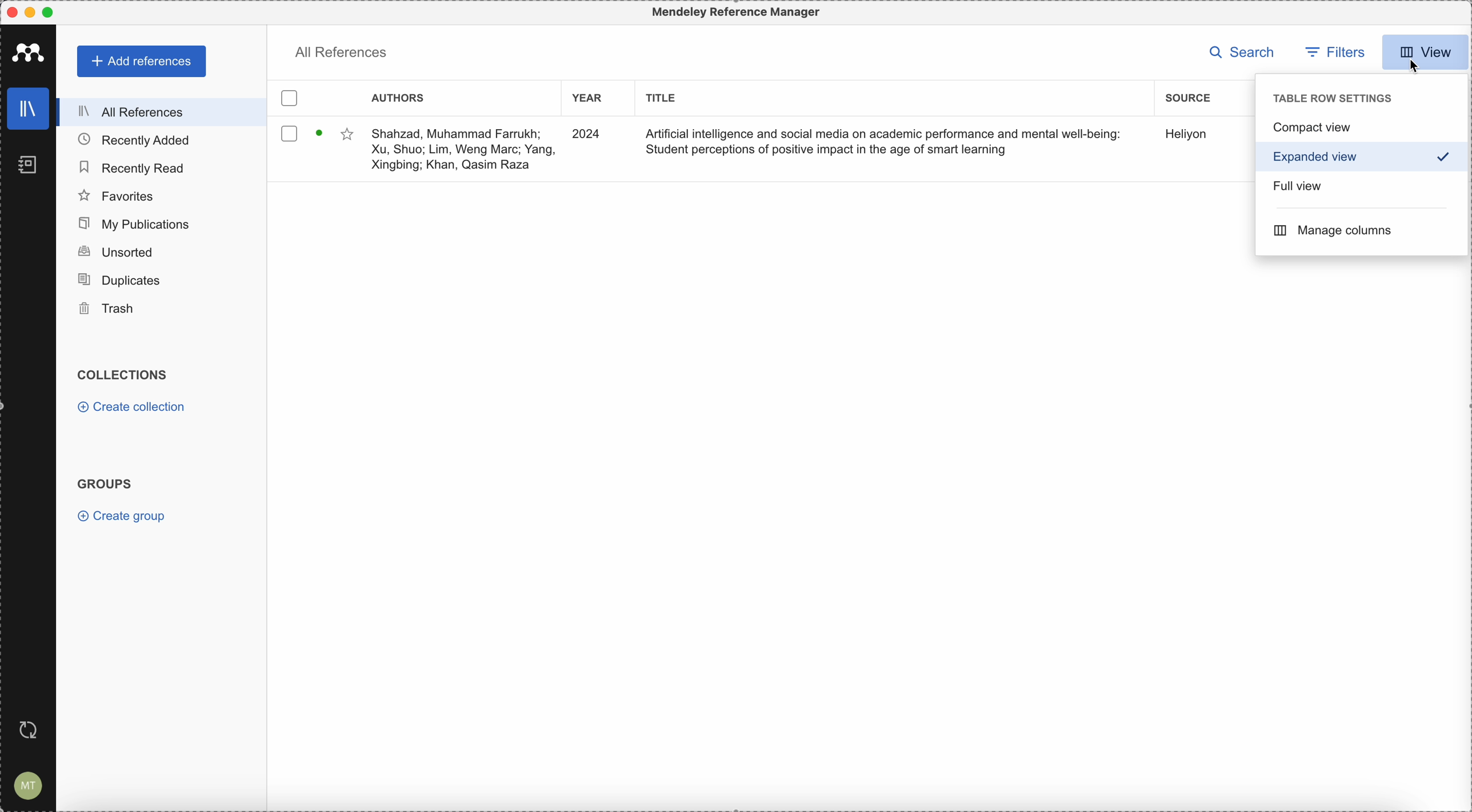  Describe the element at coordinates (591, 98) in the screenshot. I see `year` at that location.